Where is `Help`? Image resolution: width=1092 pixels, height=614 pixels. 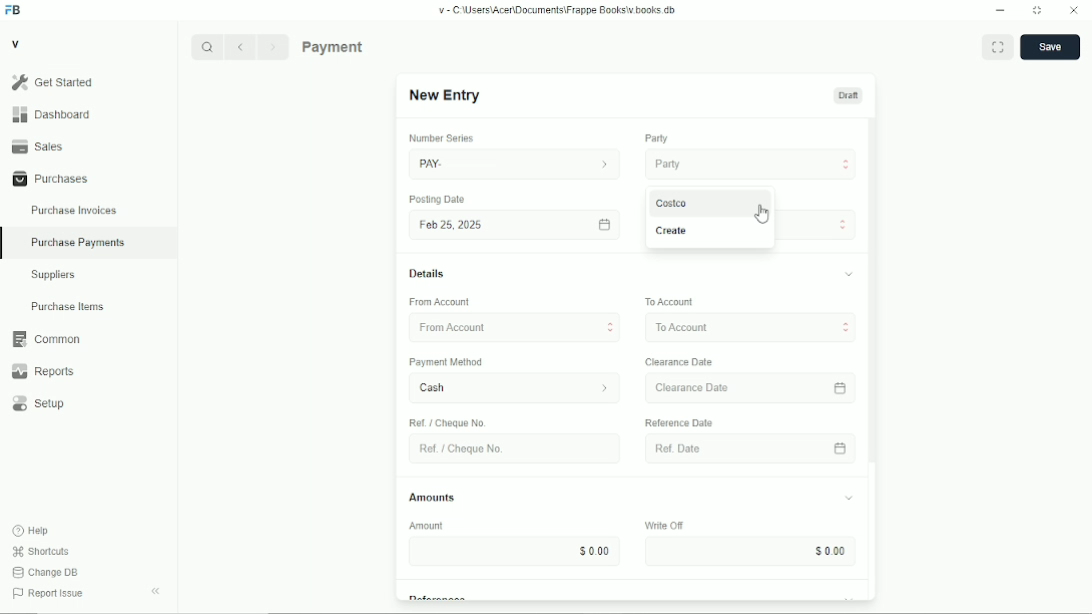 Help is located at coordinates (31, 531).